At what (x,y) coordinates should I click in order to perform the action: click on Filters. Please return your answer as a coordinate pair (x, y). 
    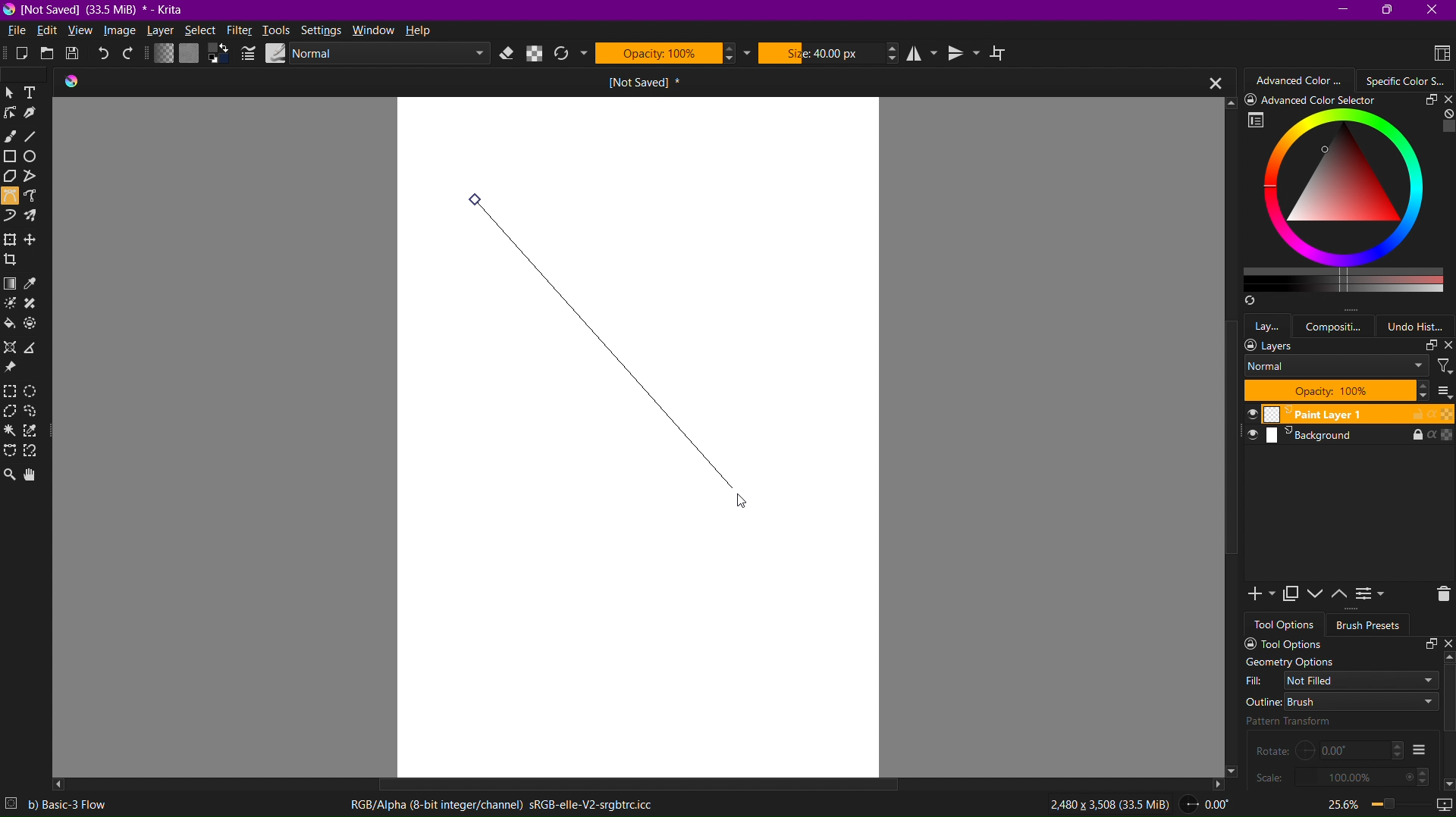
    Looking at the image, I should click on (1444, 365).